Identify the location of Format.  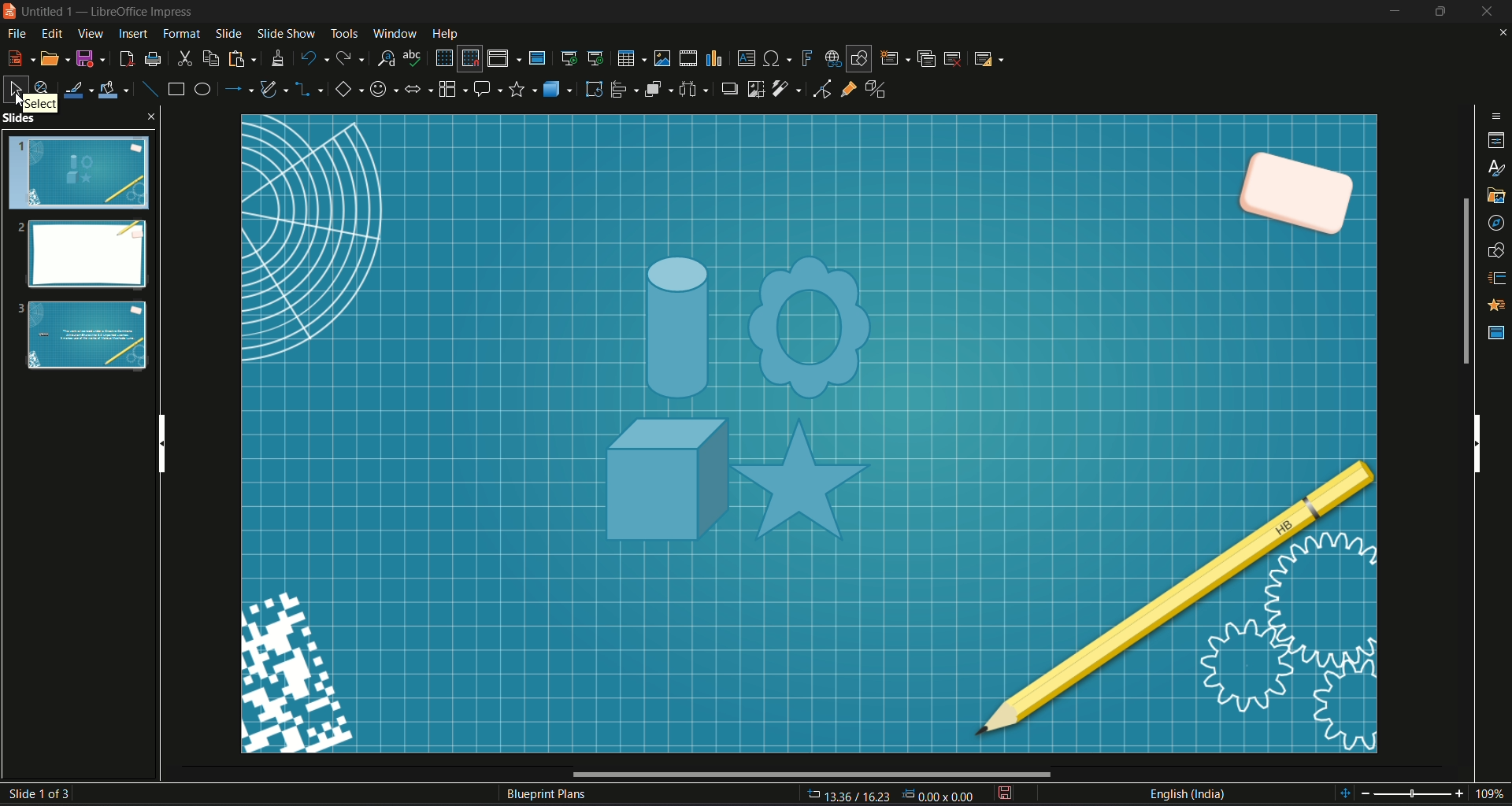
(182, 34).